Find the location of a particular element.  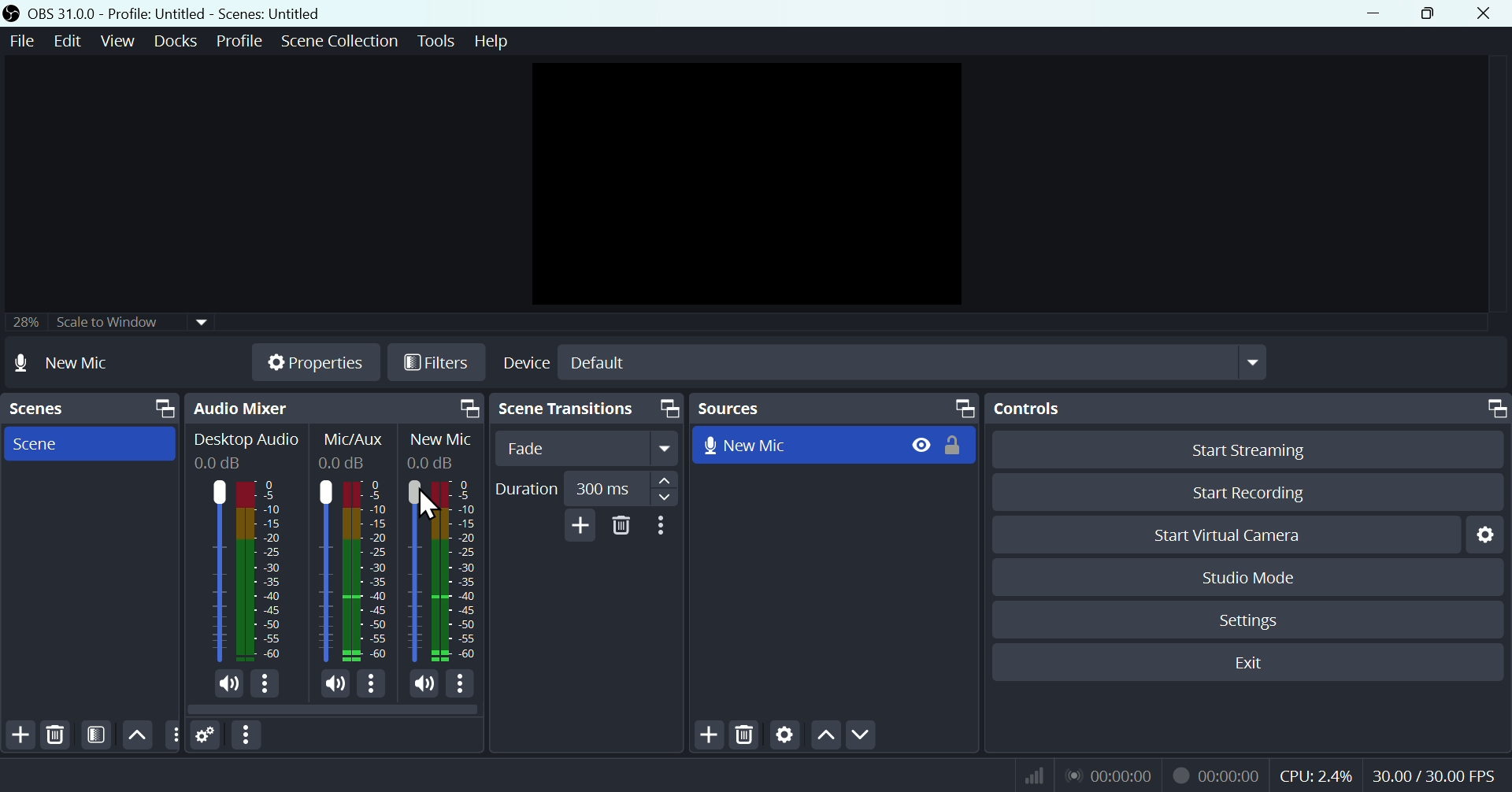

Live Status is located at coordinates (1108, 774).